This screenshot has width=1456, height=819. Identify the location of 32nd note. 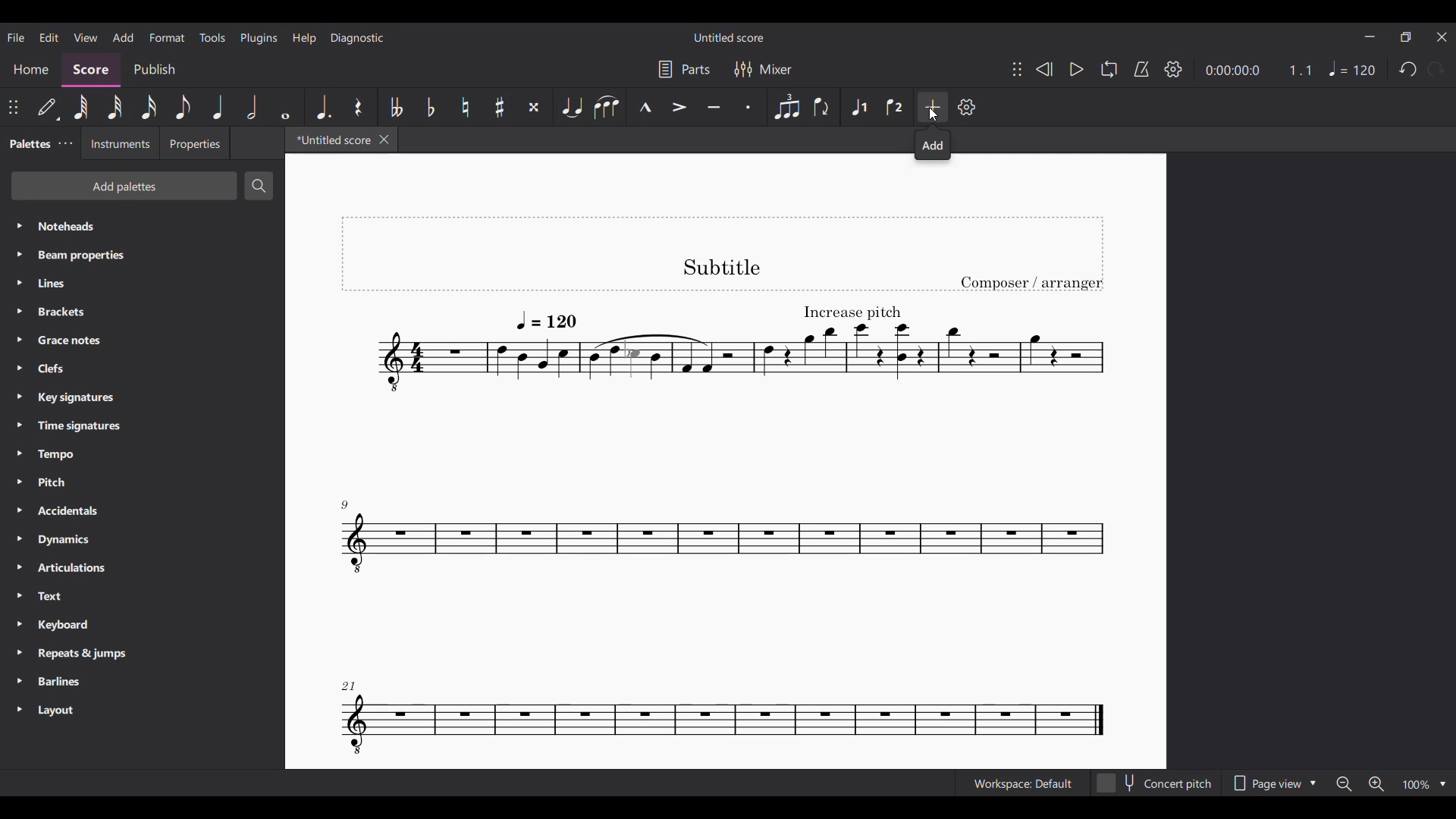
(115, 107).